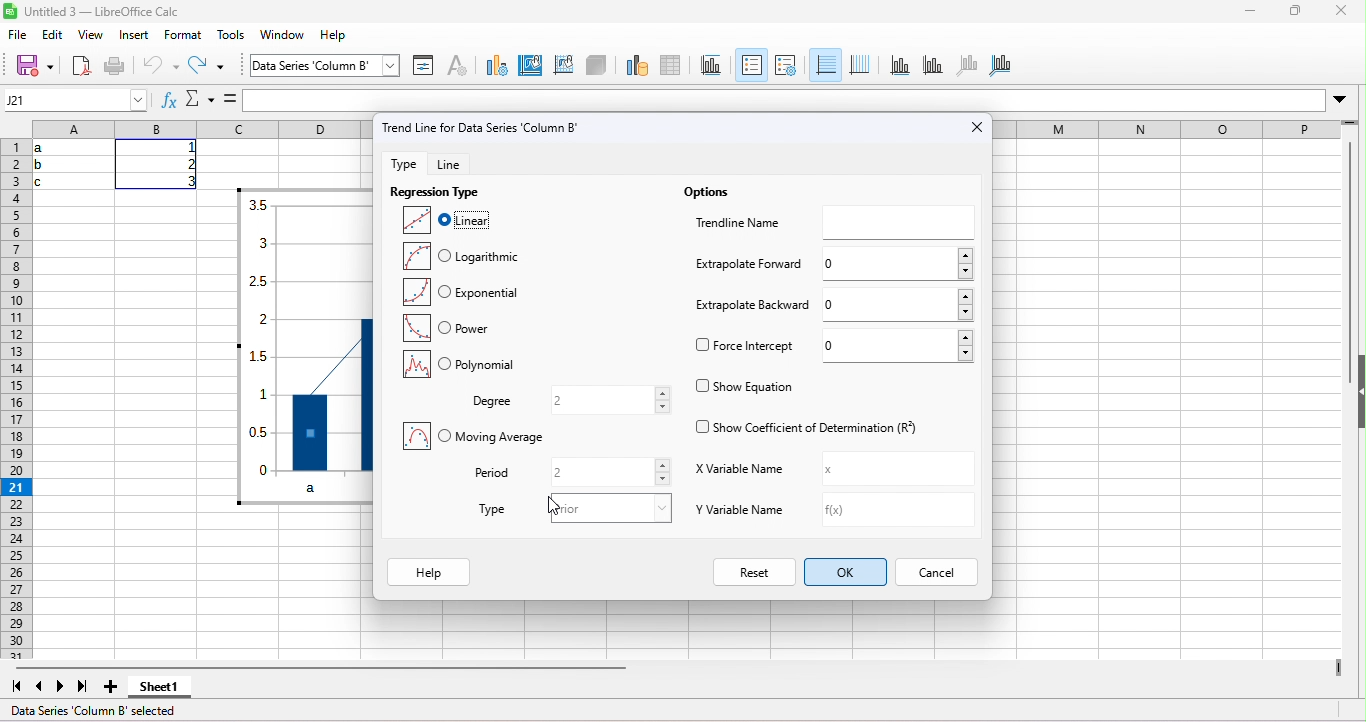  I want to click on undo, so click(163, 70).